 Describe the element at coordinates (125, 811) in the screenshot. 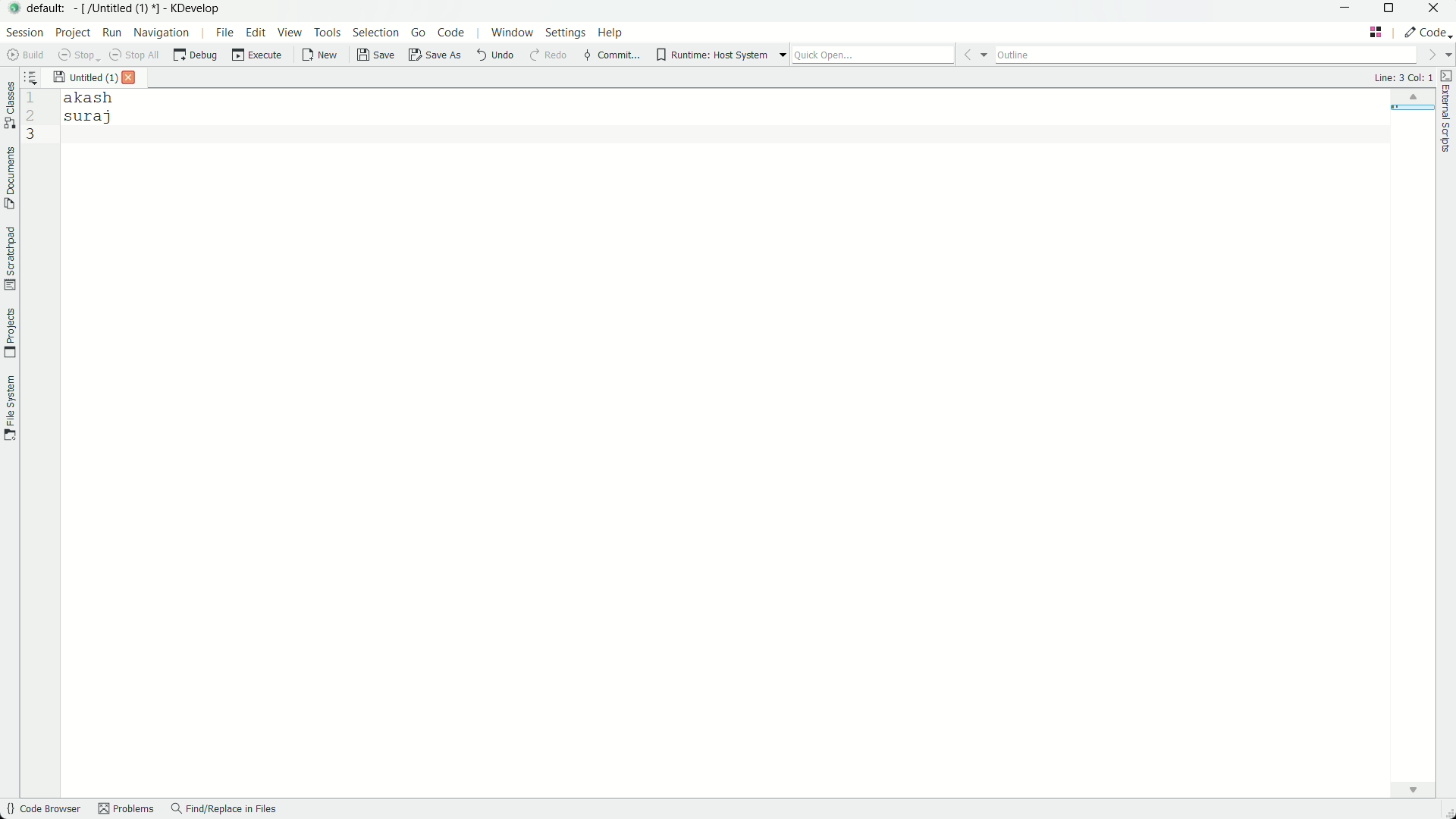

I see `problems` at that location.